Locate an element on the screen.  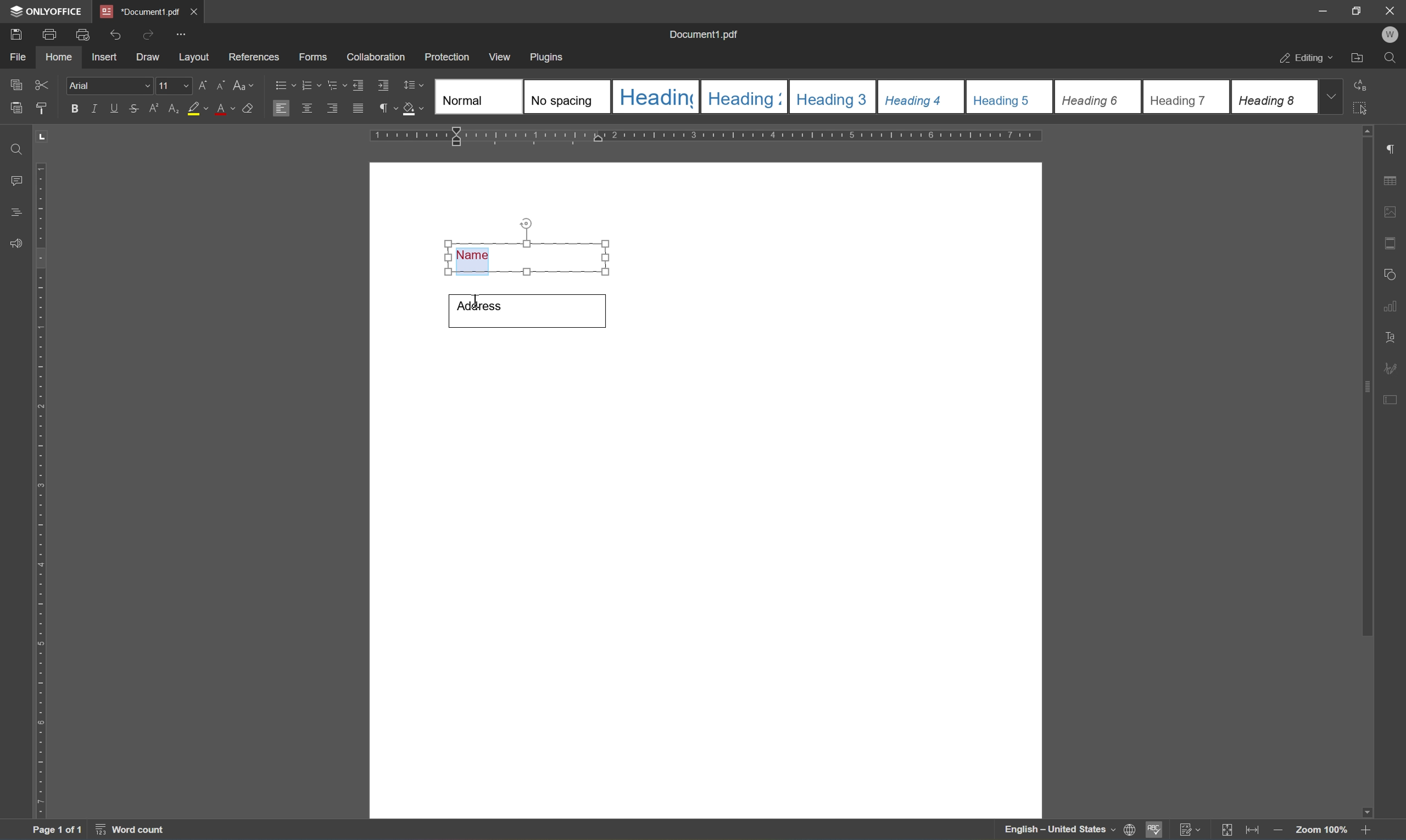
image settings is located at coordinates (1391, 211).